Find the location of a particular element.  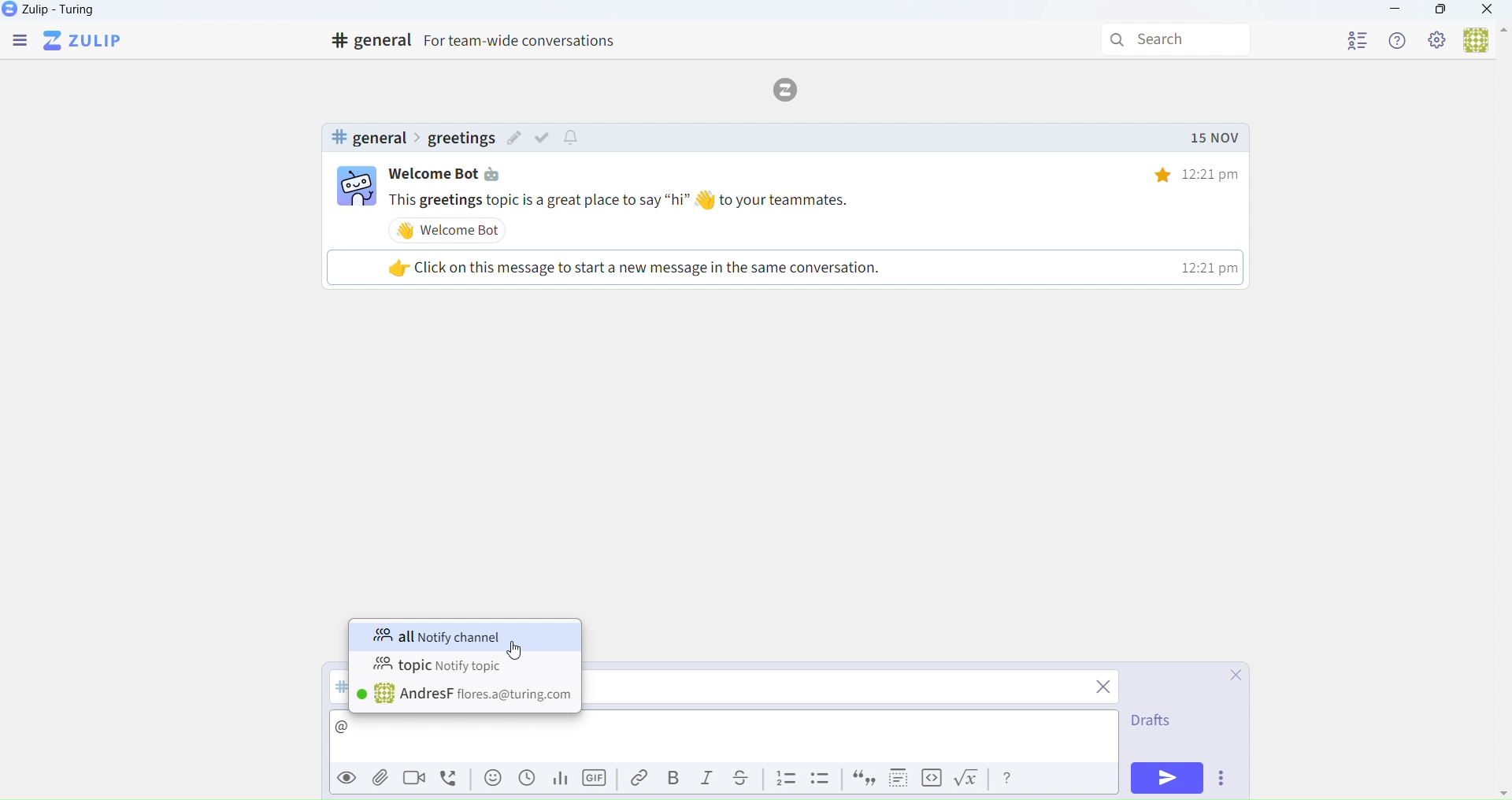

Spoiler is located at coordinates (894, 778).